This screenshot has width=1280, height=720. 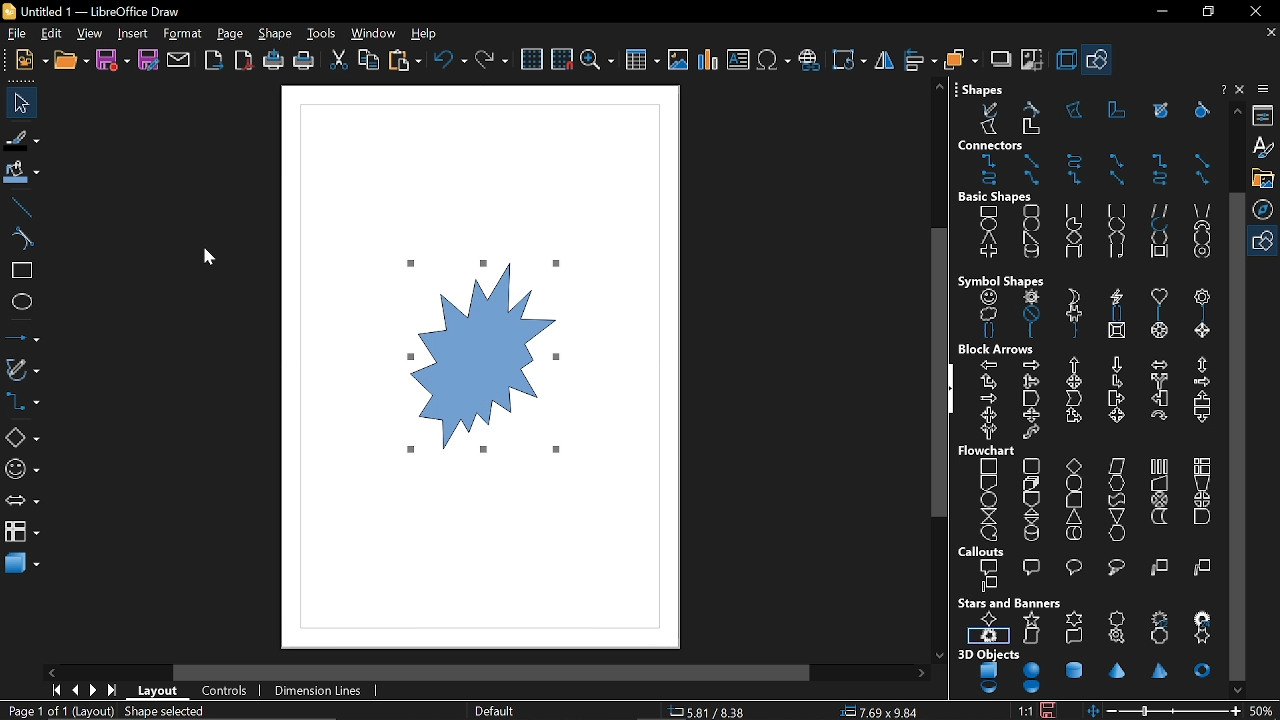 What do you see at coordinates (322, 690) in the screenshot?
I see `dimension lines` at bounding box center [322, 690].